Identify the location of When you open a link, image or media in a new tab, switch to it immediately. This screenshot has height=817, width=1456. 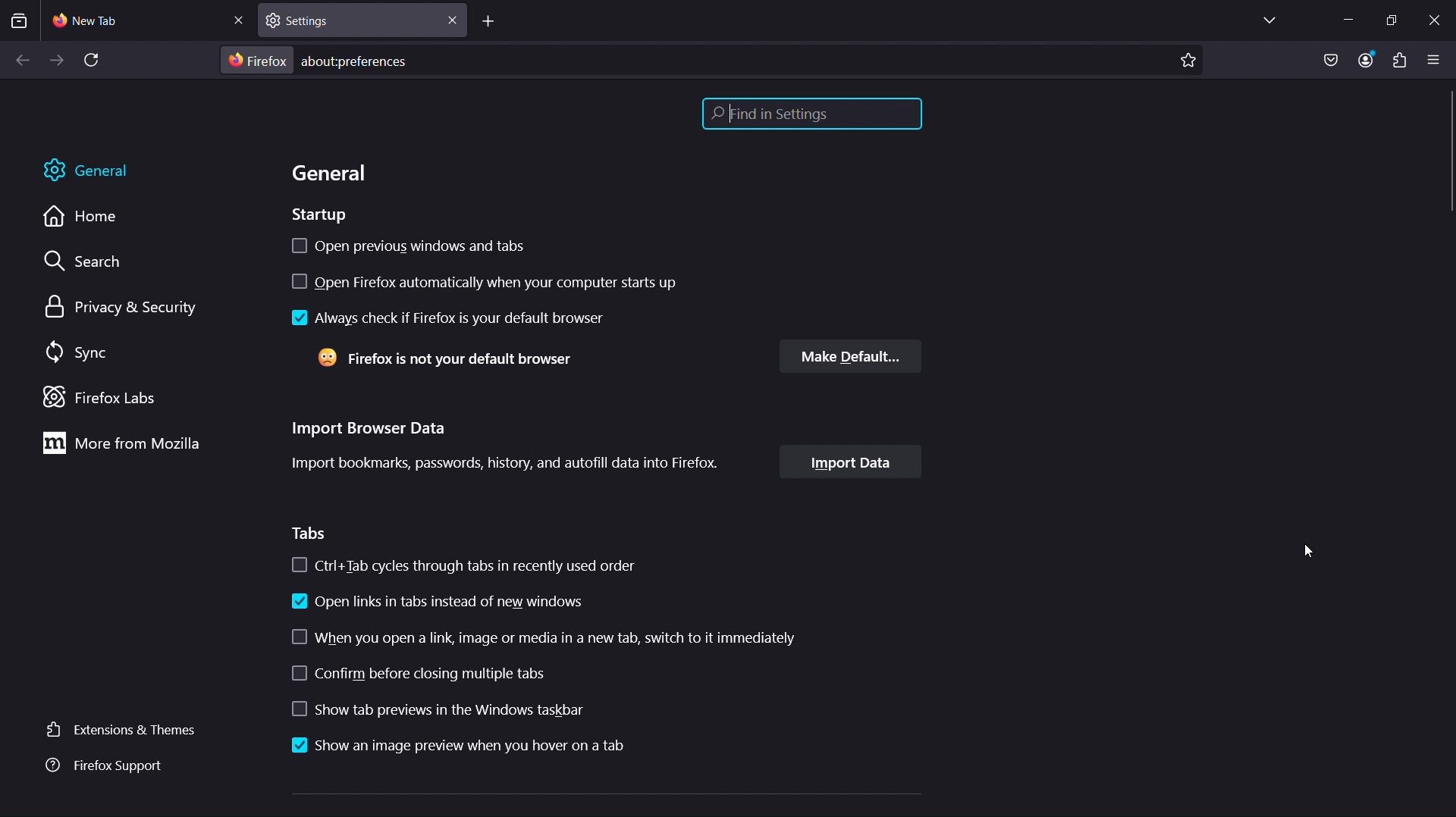
(535, 633).